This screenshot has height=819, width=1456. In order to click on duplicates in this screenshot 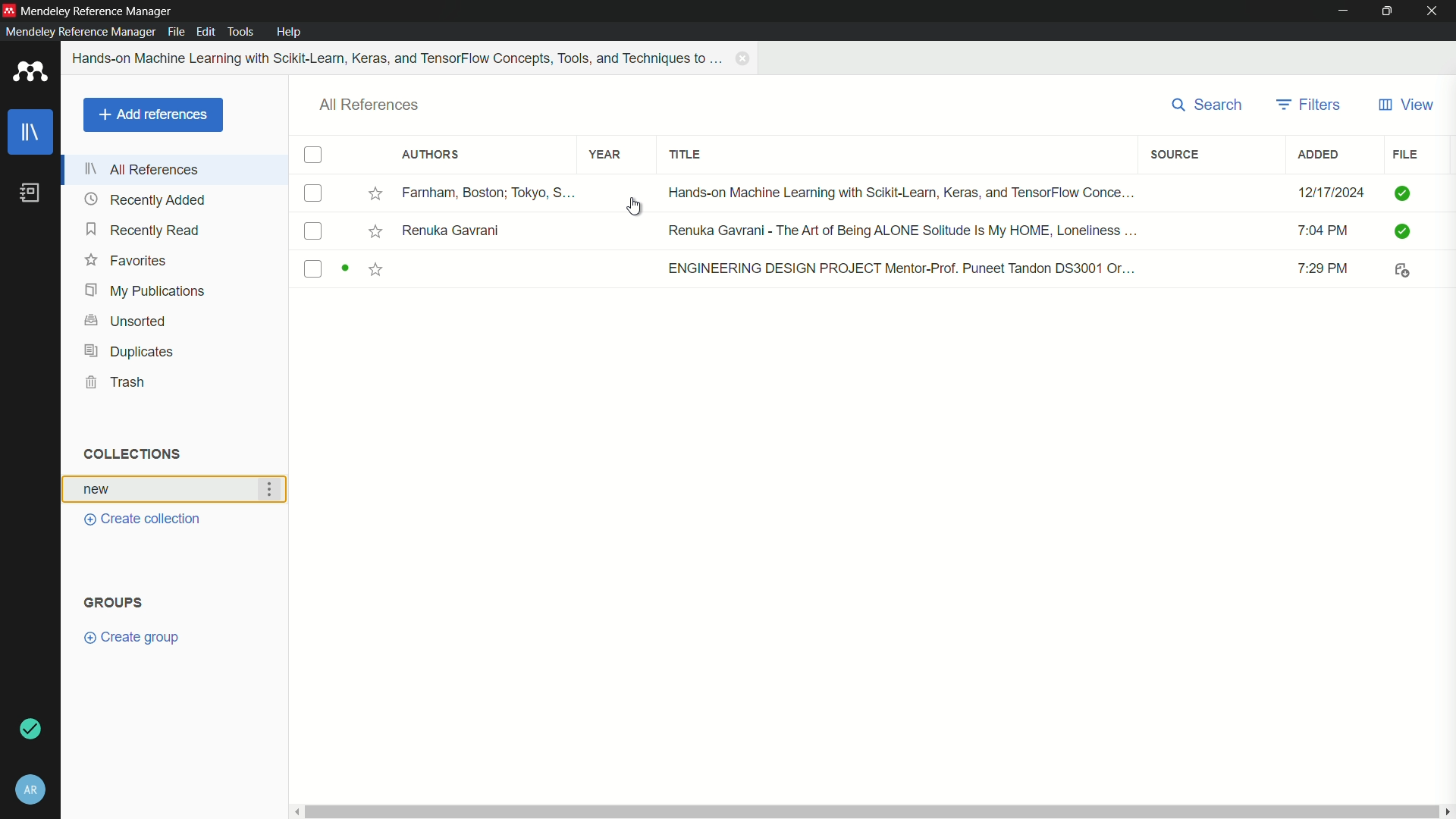, I will do `click(130, 351)`.